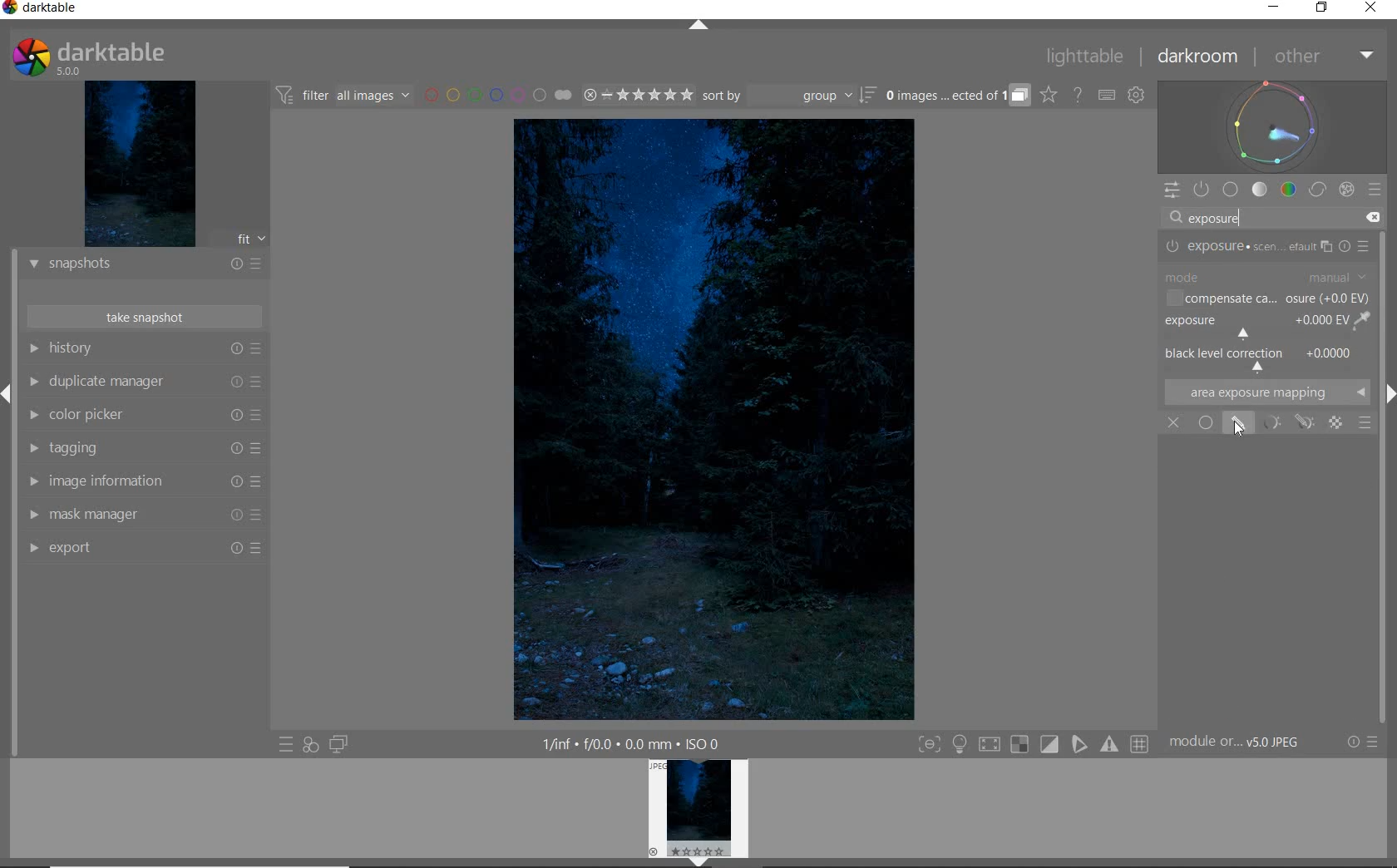 The width and height of the screenshot is (1397, 868). What do you see at coordinates (1203, 423) in the screenshot?
I see `UNIFORMLY` at bounding box center [1203, 423].